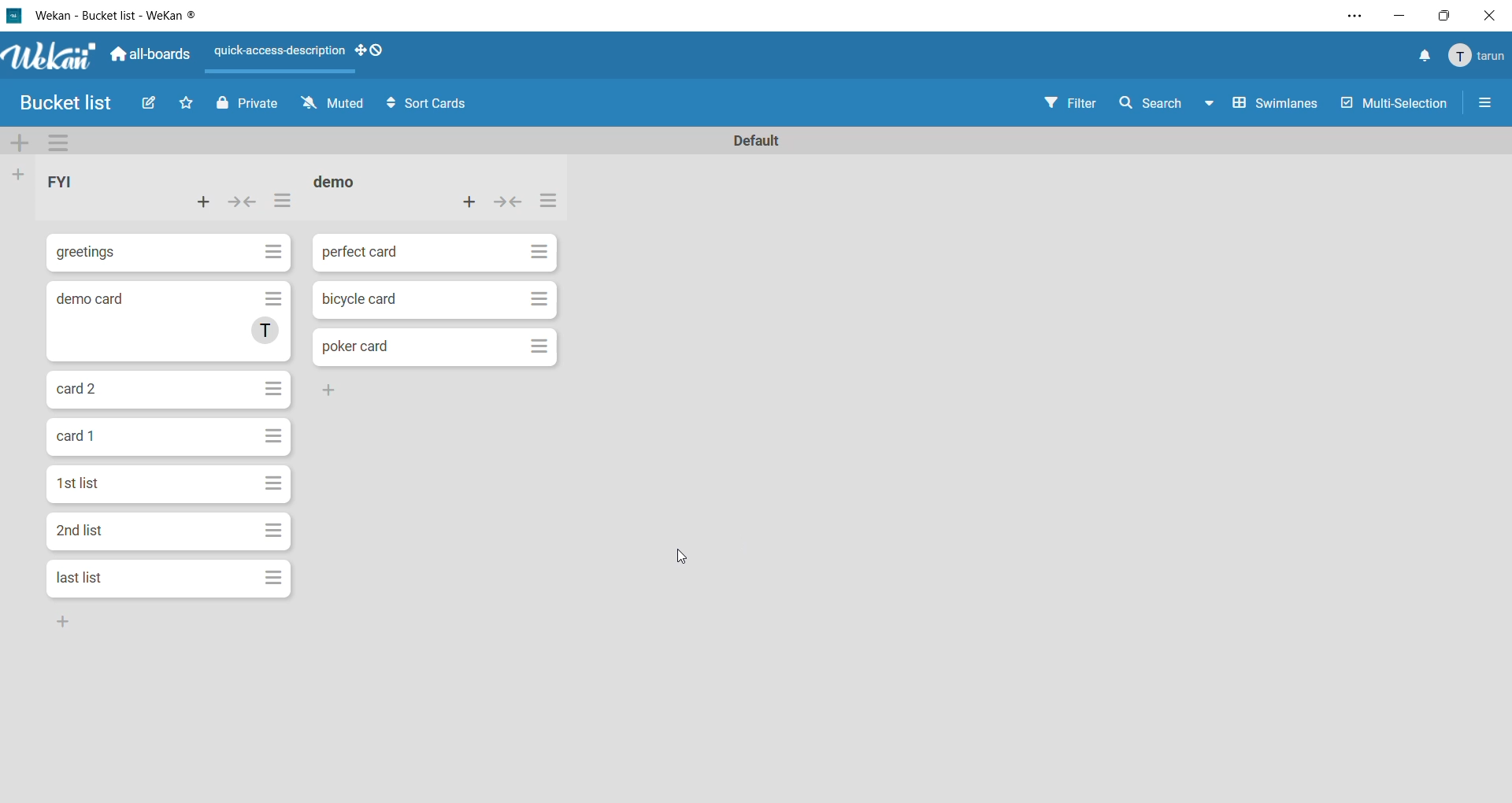 The image size is (1512, 803). Describe the element at coordinates (22, 142) in the screenshot. I see `add swimlane` at that location.